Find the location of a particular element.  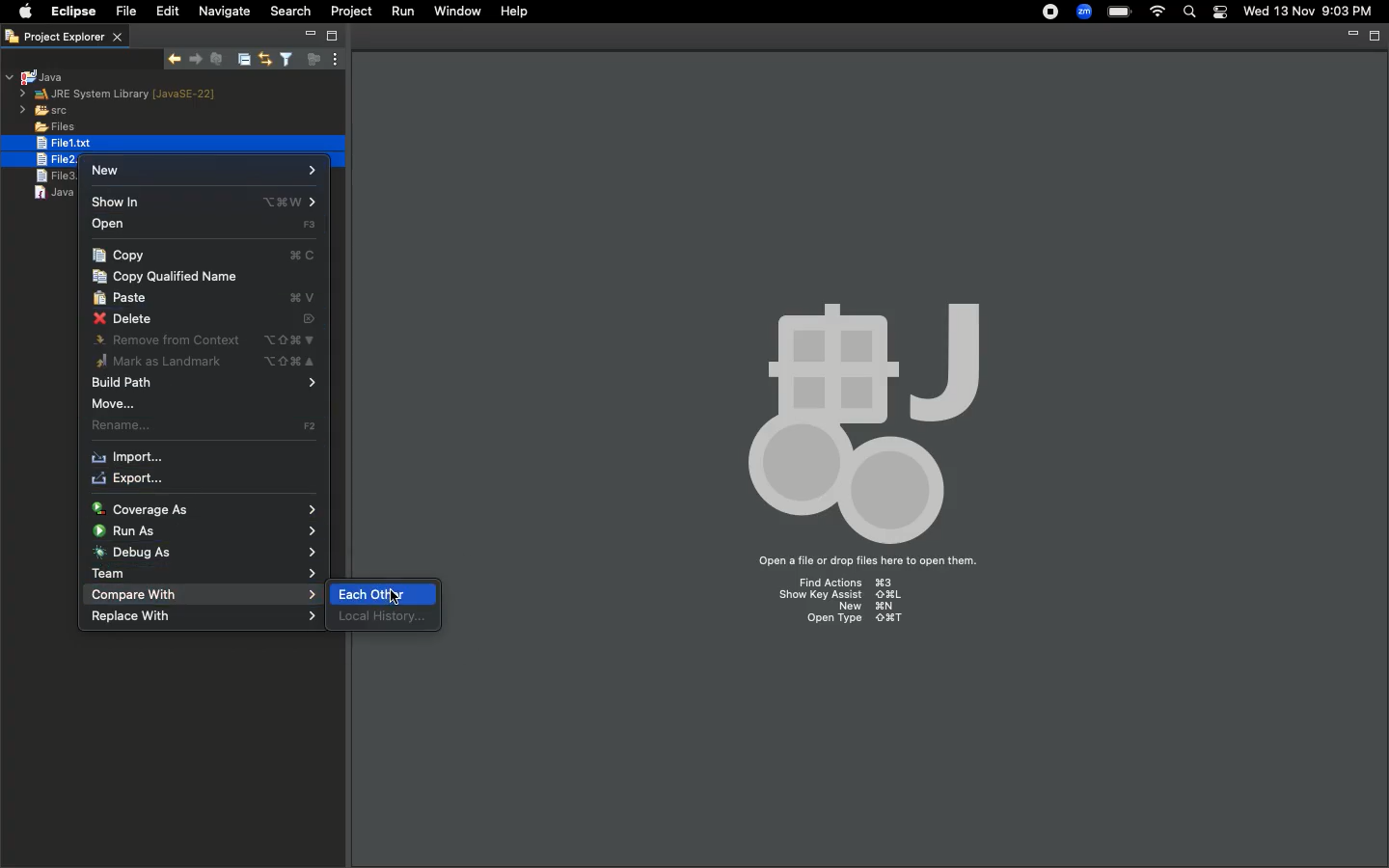

Coverage as is located at coordinates (204, 509).